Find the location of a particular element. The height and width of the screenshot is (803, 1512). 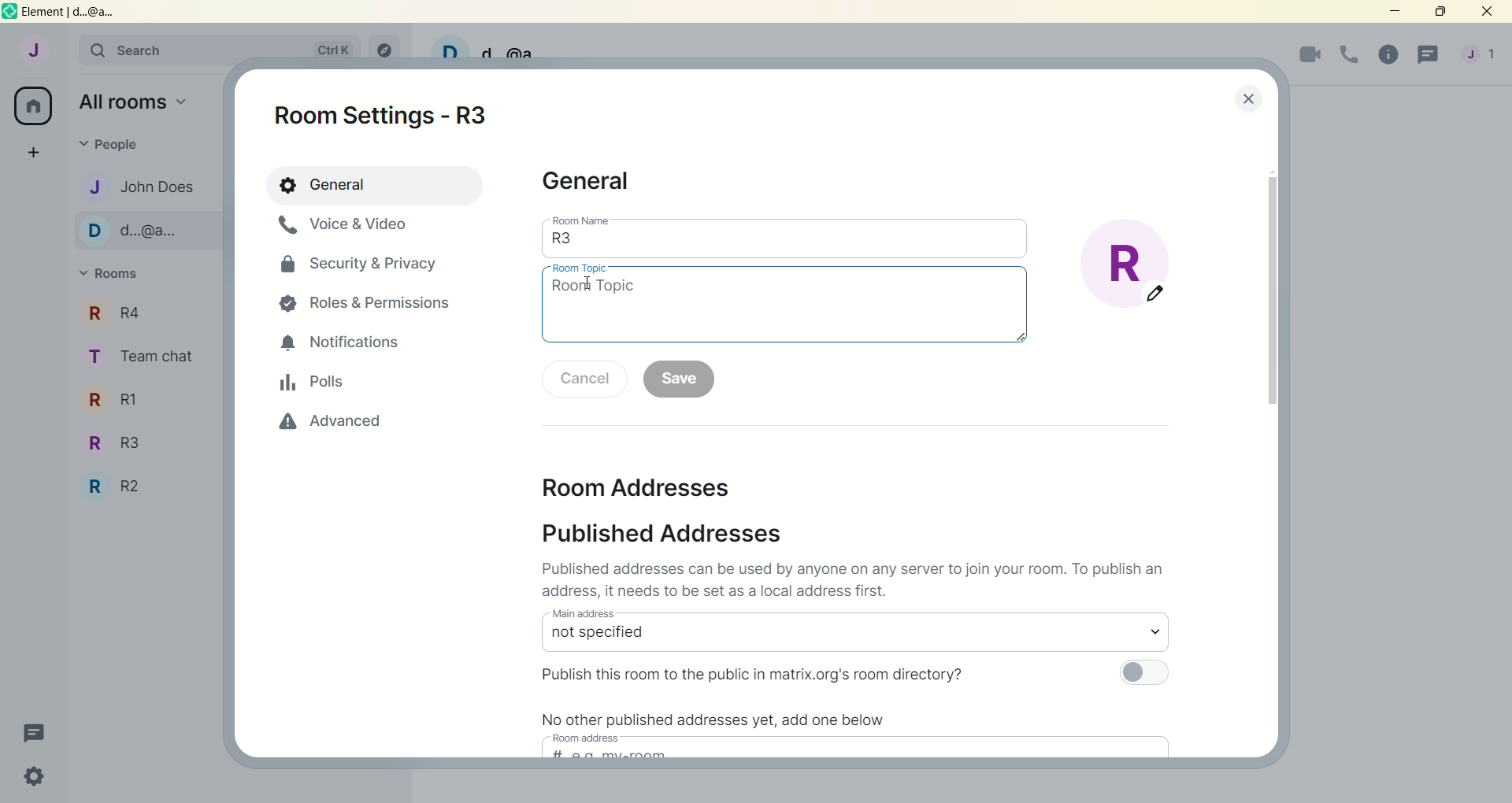

video call is located at coordinates (1306, 55).